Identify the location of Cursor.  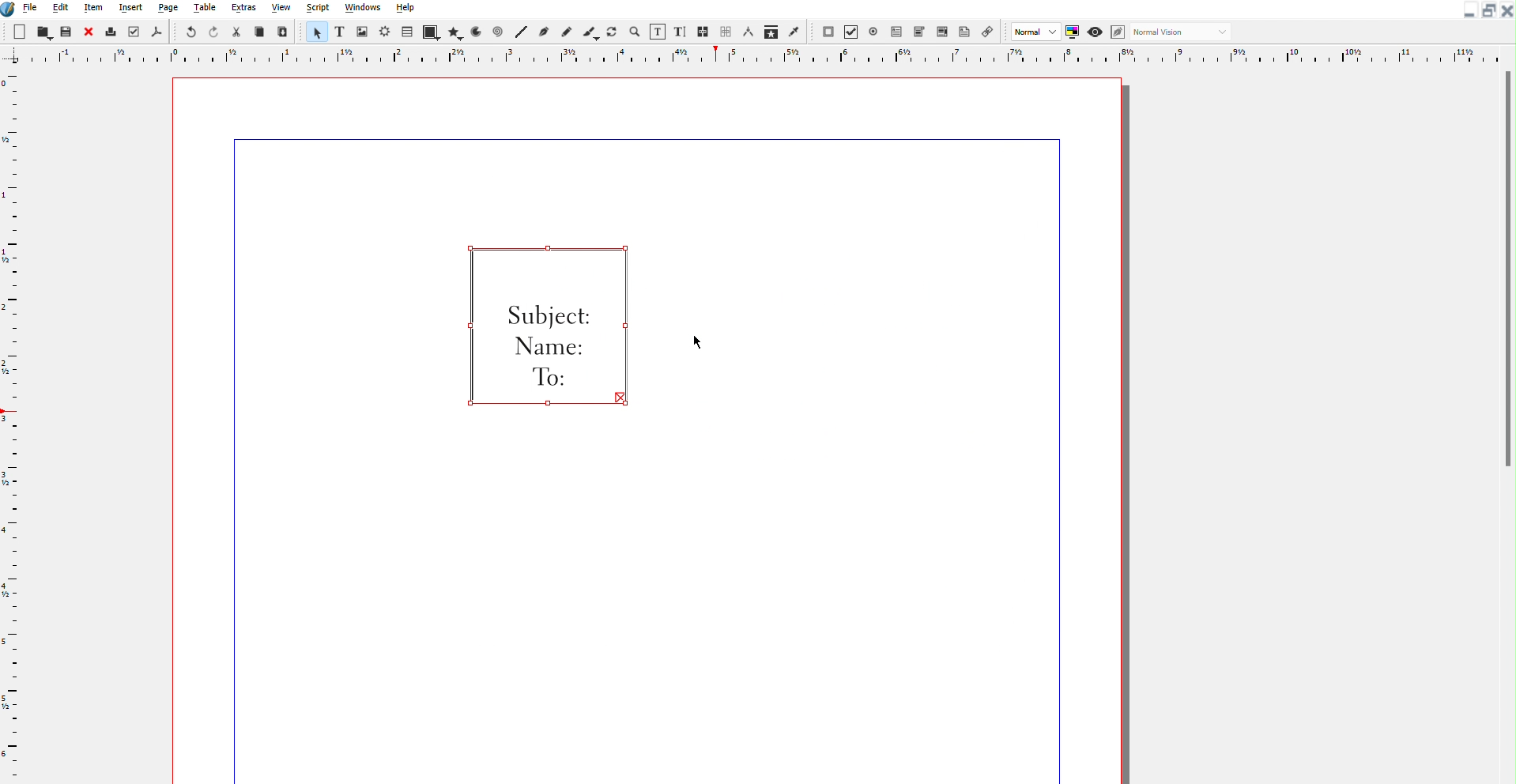
(699, 341).